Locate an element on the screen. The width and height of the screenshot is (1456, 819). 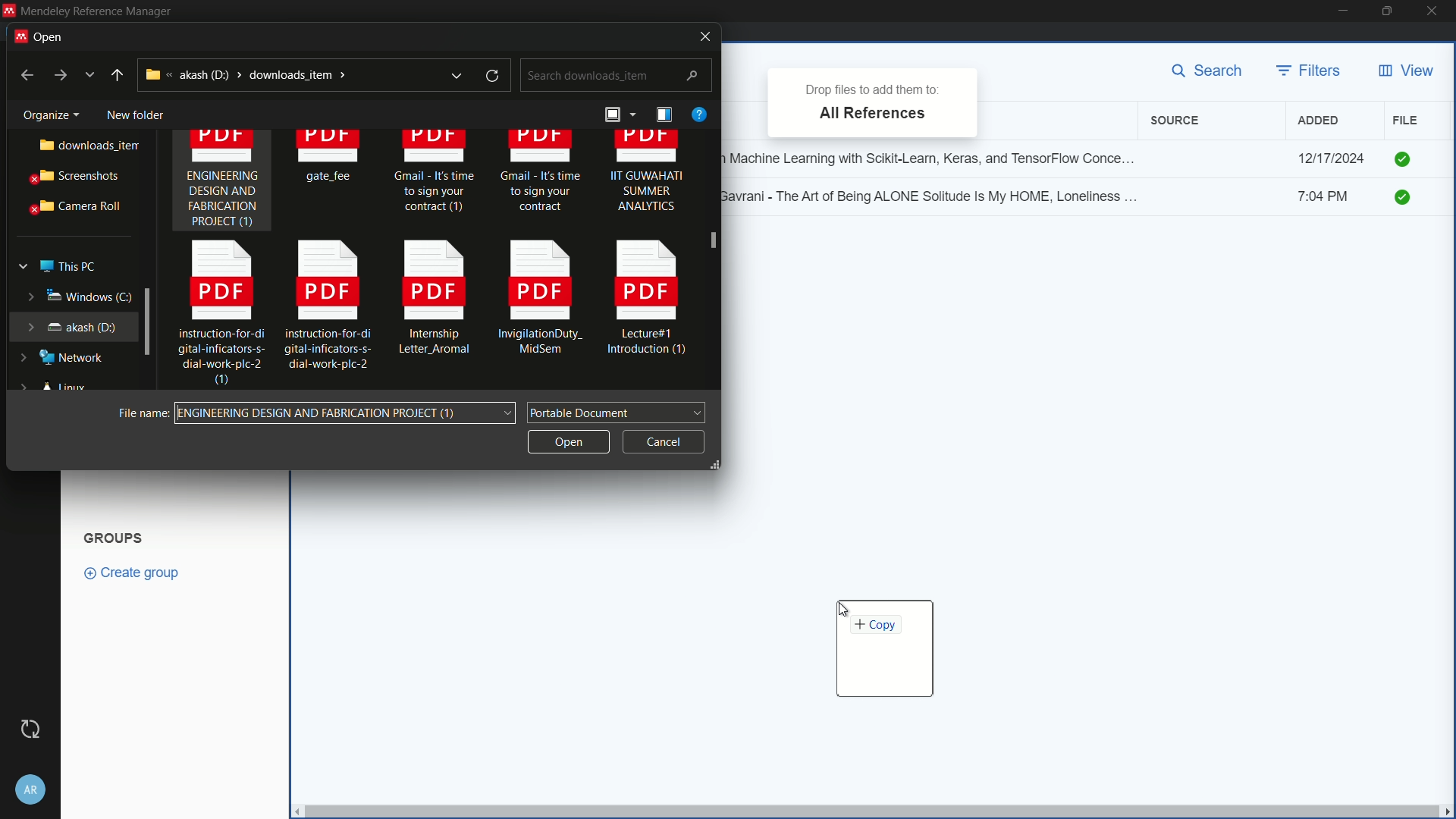
details is located at coordinates (664, 115).